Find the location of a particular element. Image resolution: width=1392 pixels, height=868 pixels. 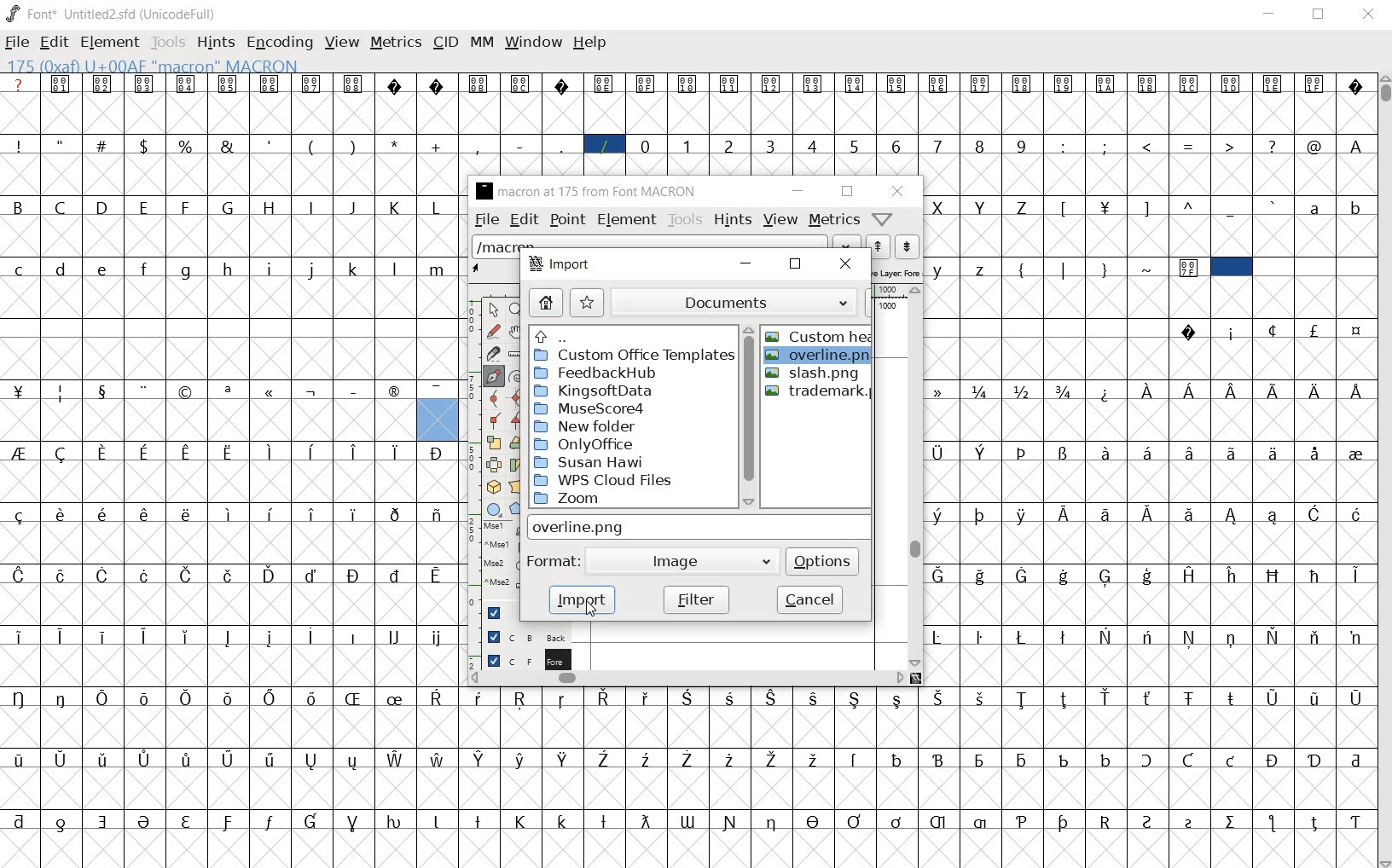

Symbol is located at coordinates (187, 84).